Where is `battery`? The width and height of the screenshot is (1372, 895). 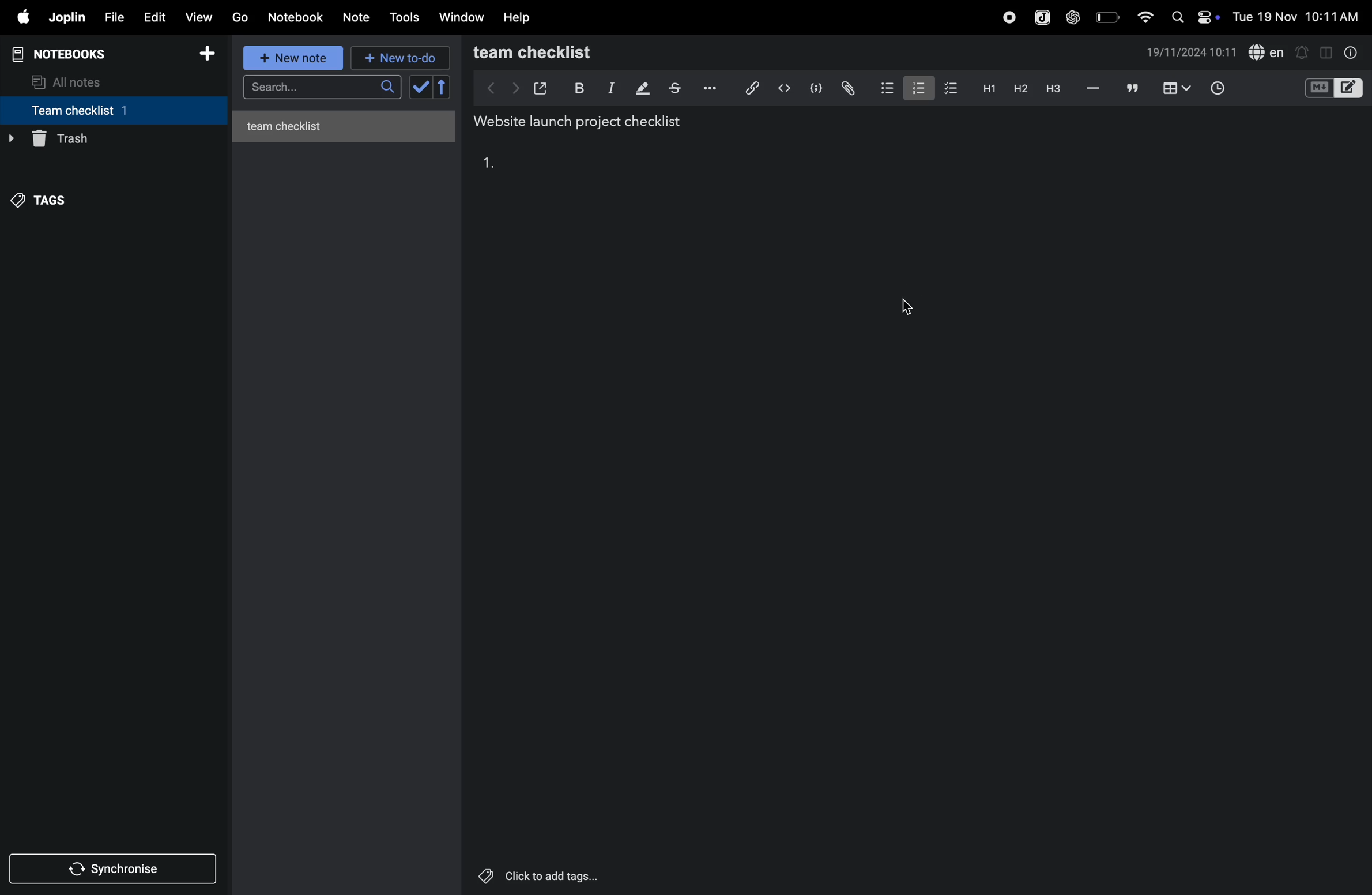 battery is located at coordinates (1106, 17).